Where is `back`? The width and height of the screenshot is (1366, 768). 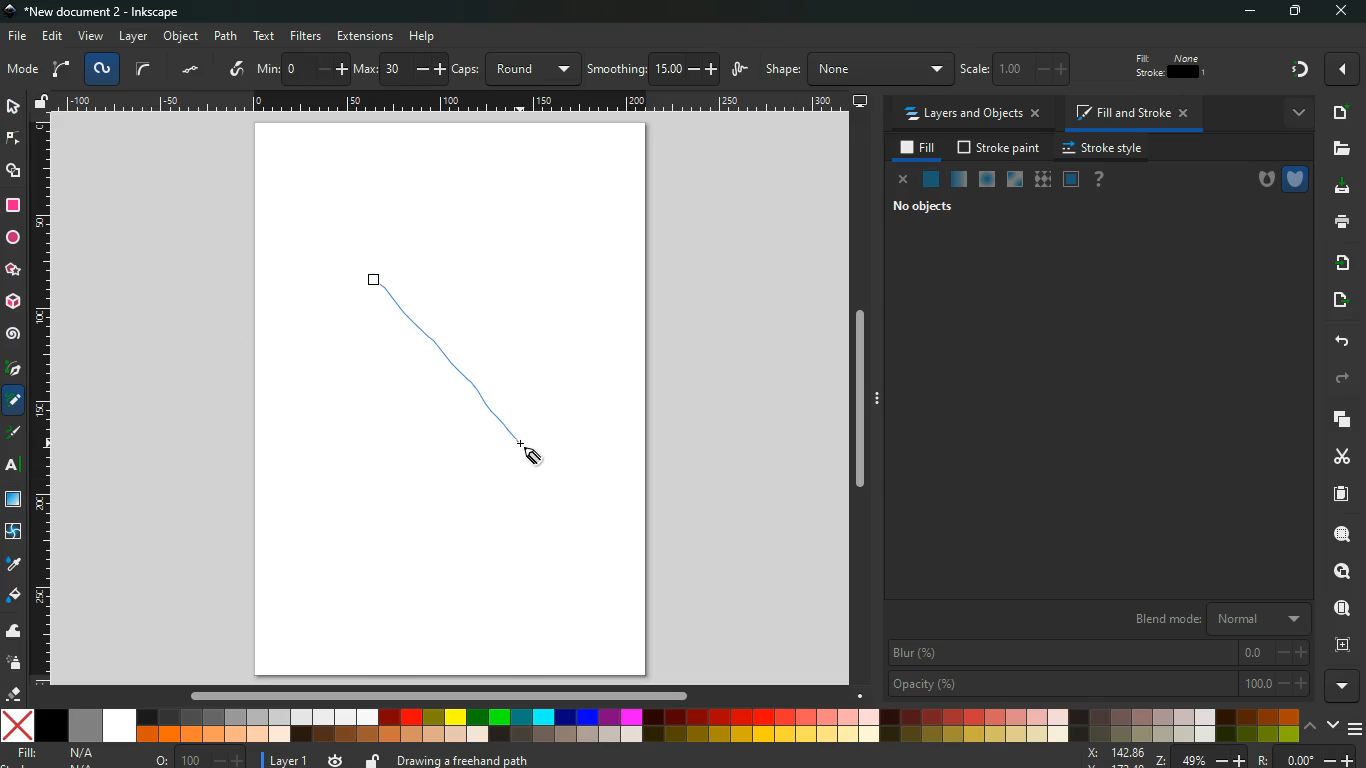 back is located at coordinates (1340, 342).